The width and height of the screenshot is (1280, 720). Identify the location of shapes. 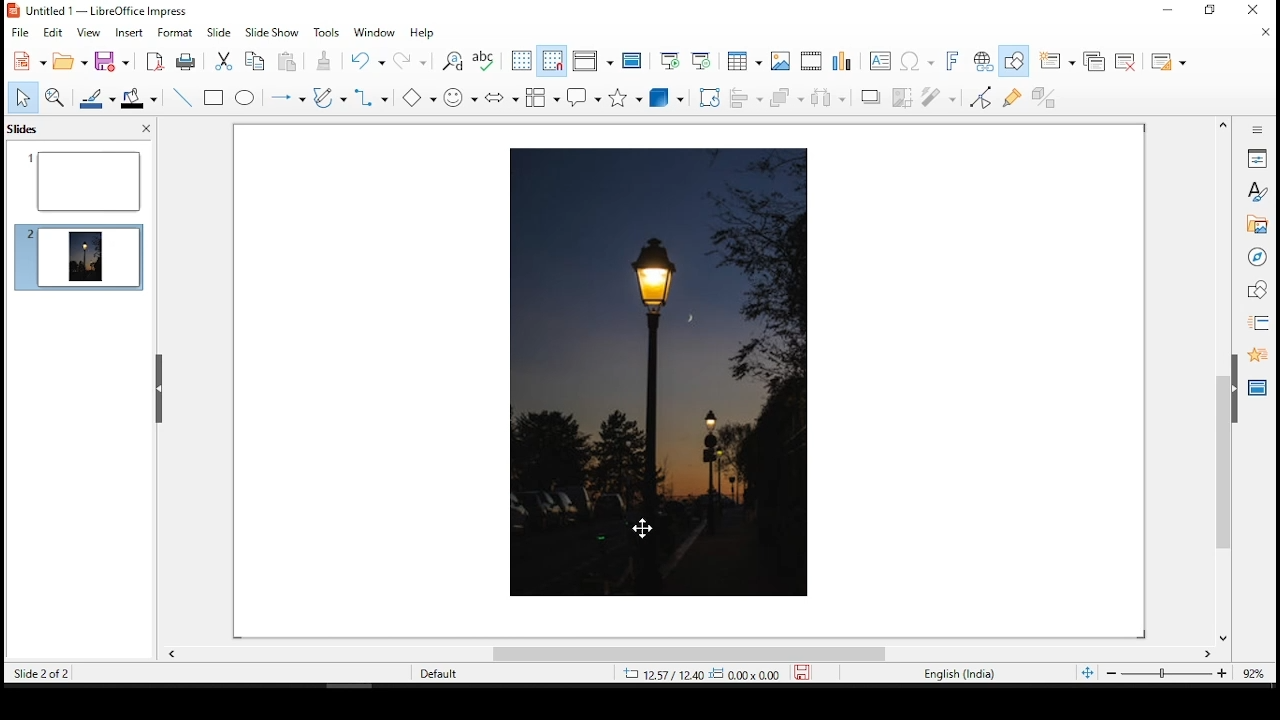
(1259, 293).